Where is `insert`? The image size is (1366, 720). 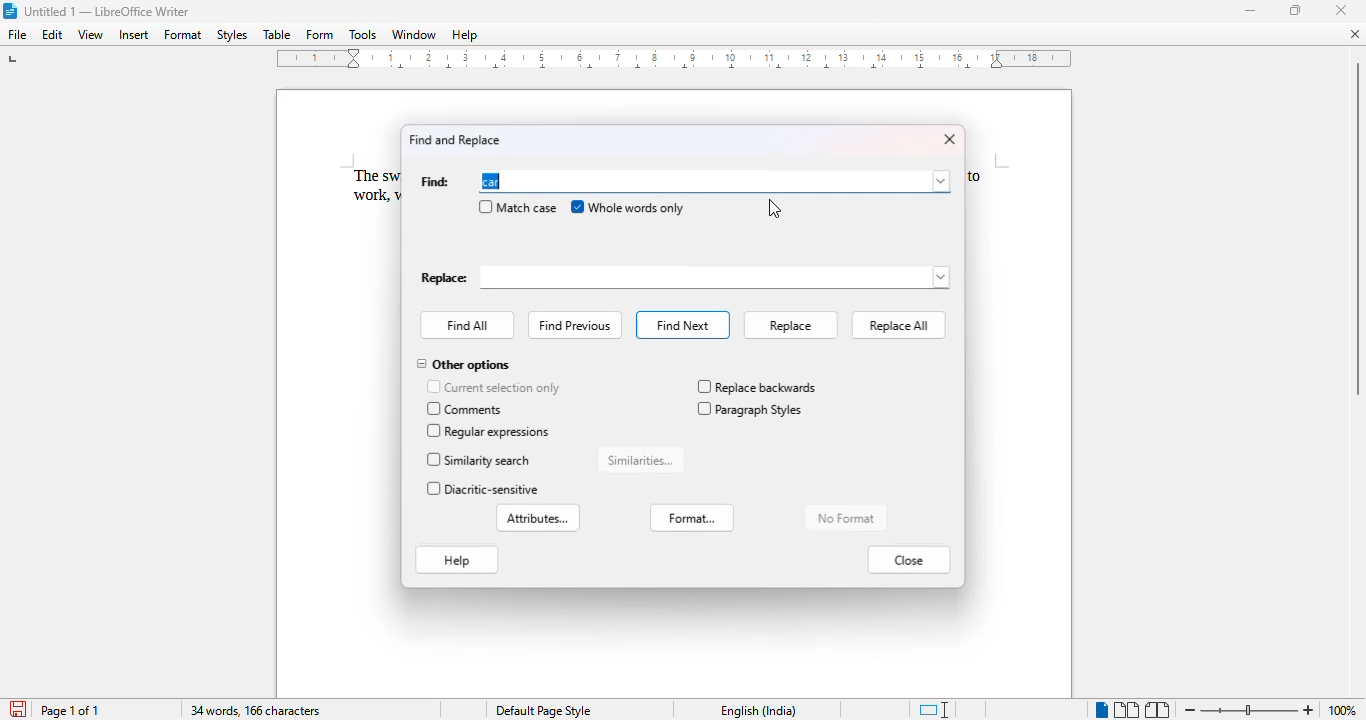
insert is located at coordinates (133, 35).